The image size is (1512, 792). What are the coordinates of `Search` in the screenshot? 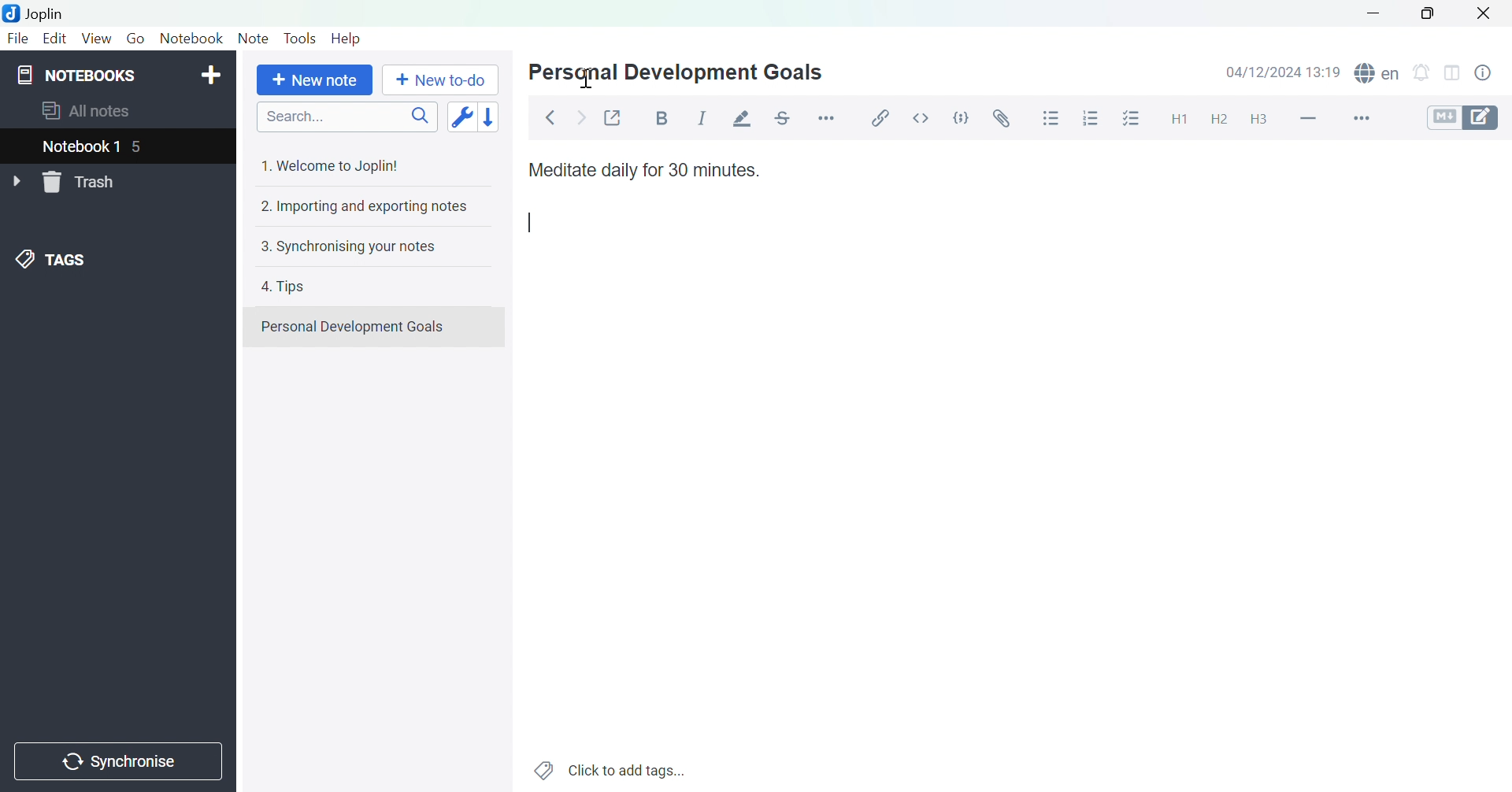 It's located at (346, 116).